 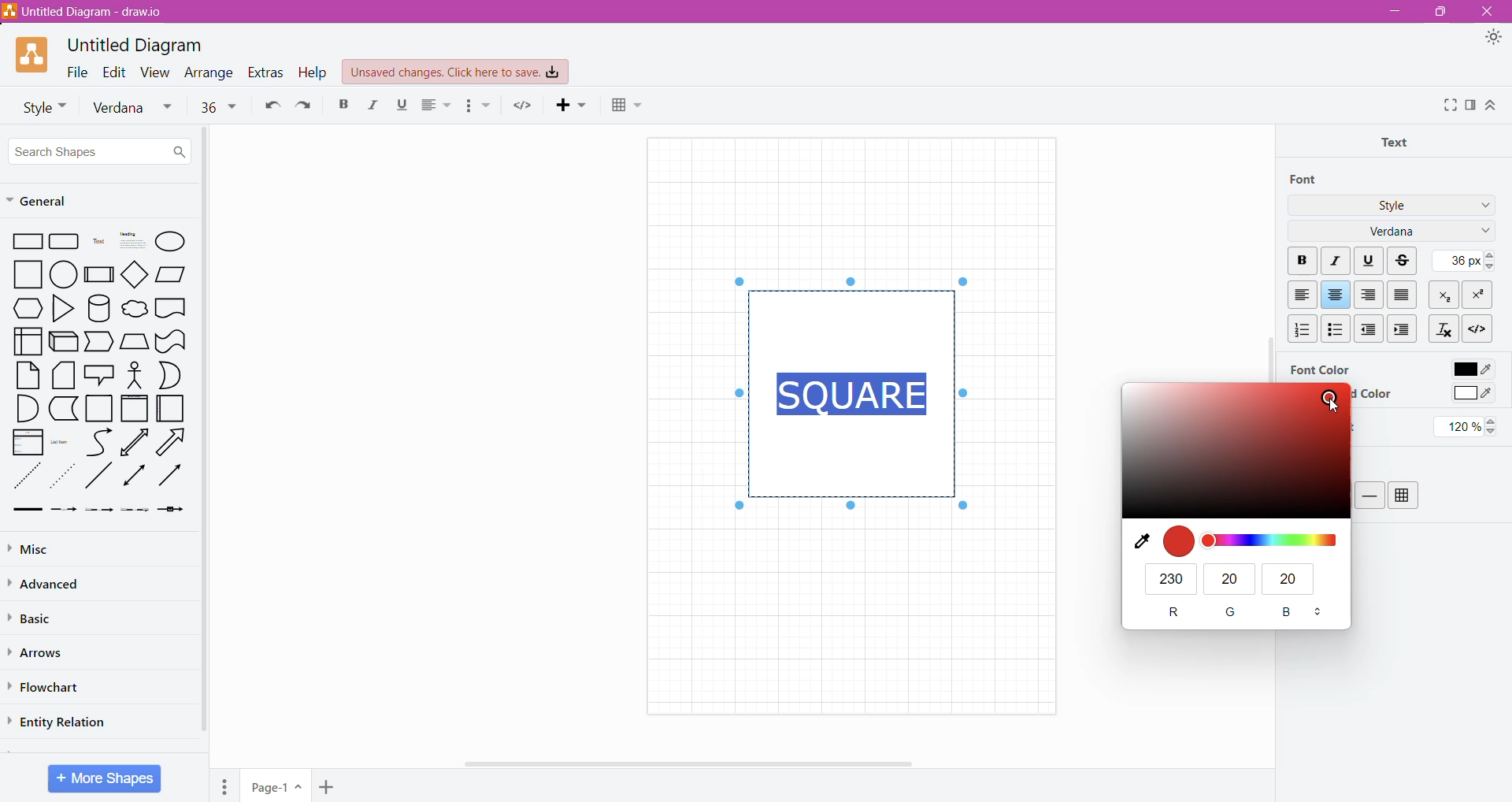 I want to click on Center, so click(x=1336, y=295).